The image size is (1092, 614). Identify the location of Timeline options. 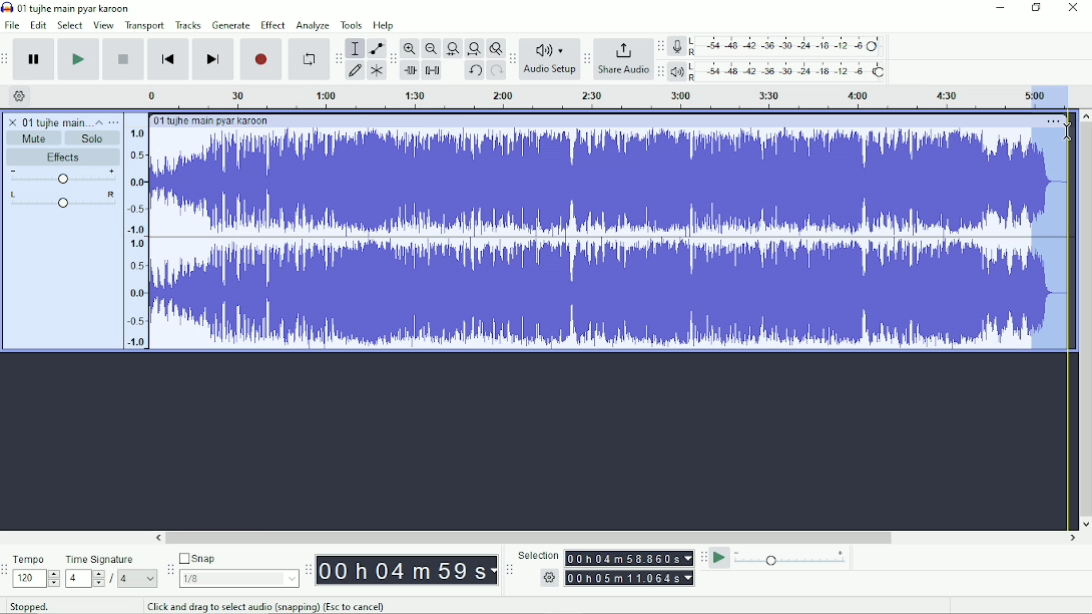
(20, 95).